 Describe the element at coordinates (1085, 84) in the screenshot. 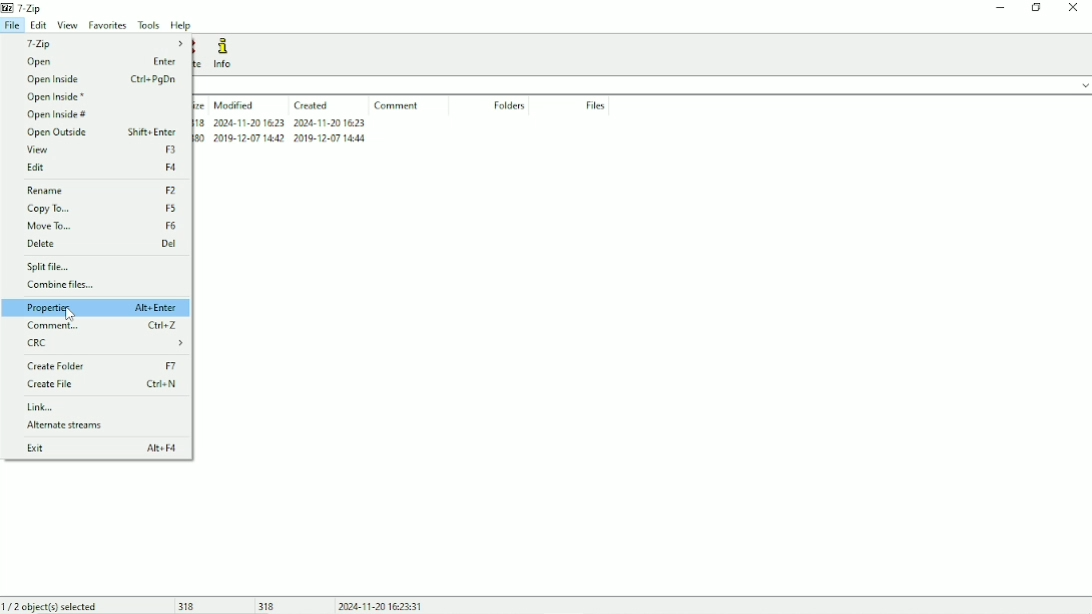

I see `drop down` at that location.